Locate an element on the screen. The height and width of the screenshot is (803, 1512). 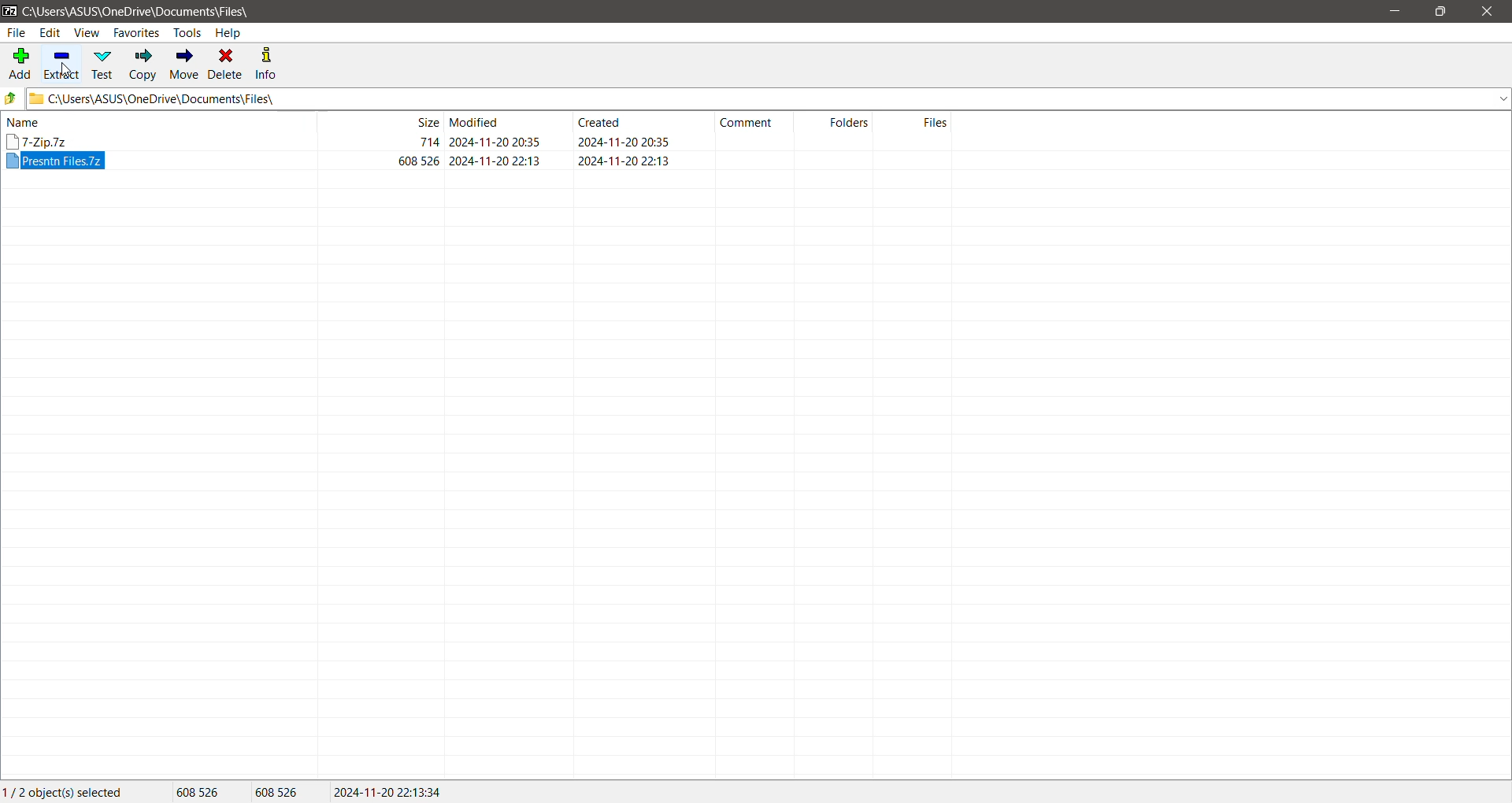
size is located at coordinates (420, 161).